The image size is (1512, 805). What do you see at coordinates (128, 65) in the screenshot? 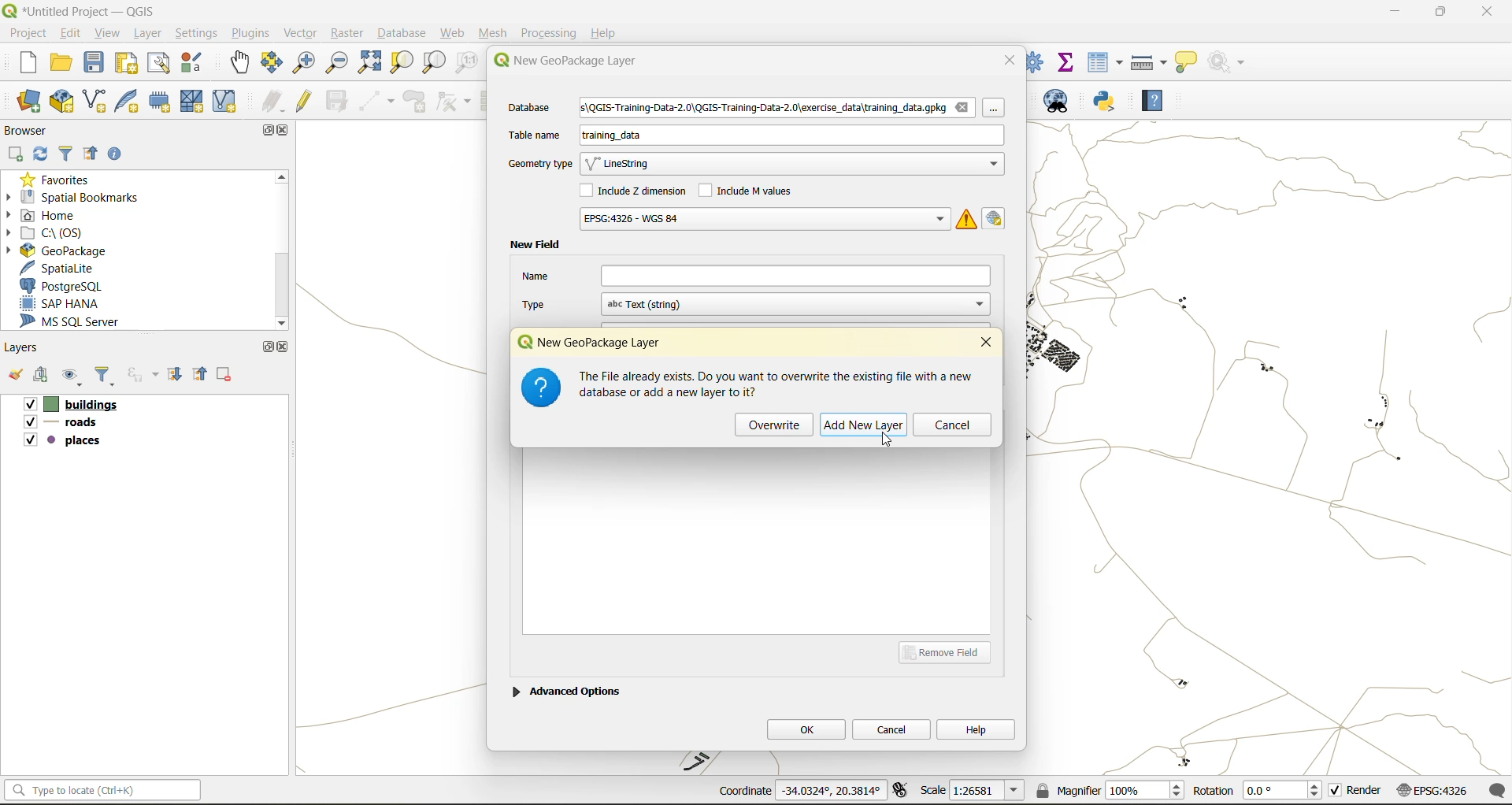
I see `print layout` at bounding box center [128, 65].